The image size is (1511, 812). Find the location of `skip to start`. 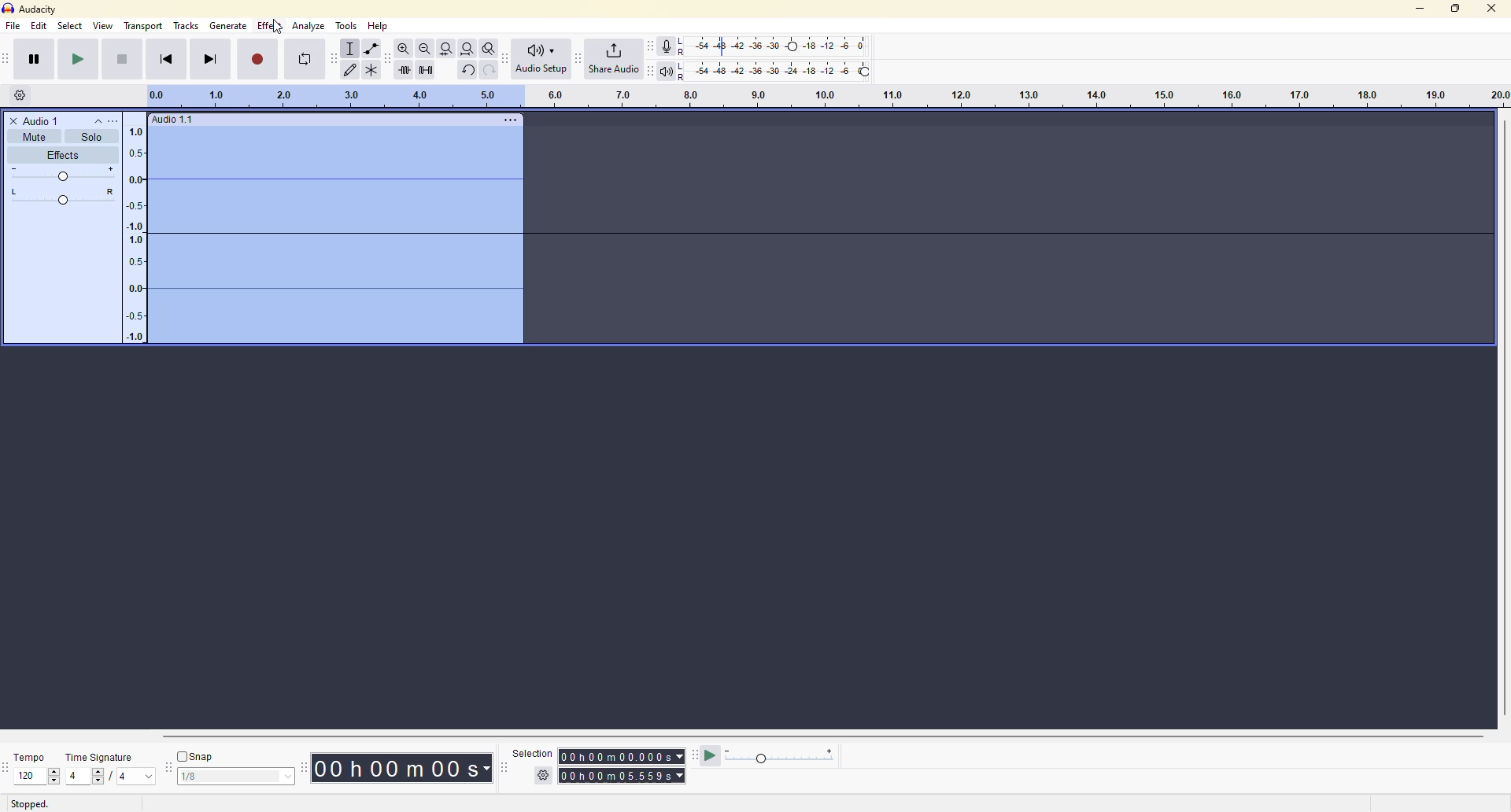

skip to start is located at coordinates (166, 58).